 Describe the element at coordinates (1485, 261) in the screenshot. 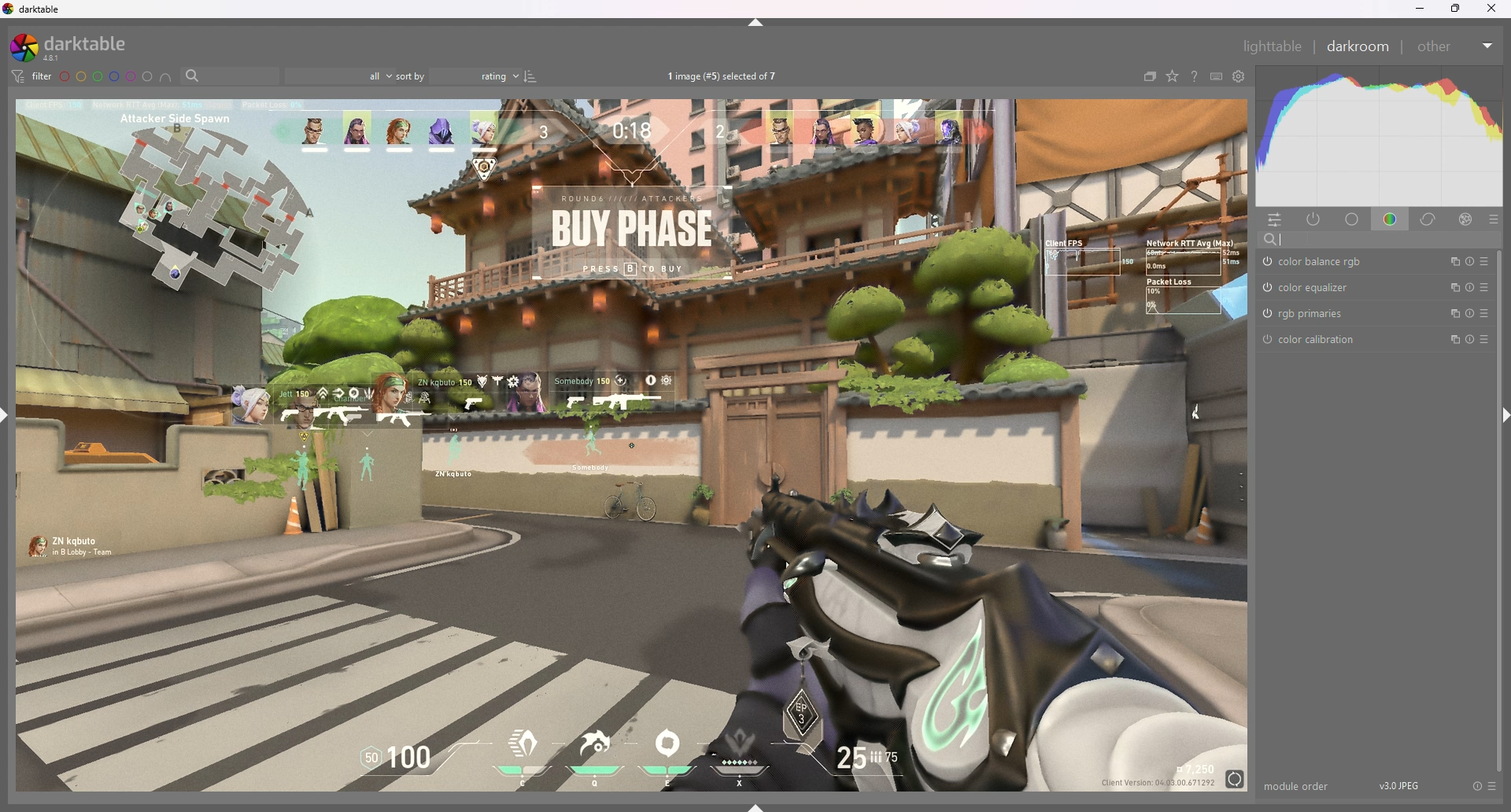

I see `presets` at that location.